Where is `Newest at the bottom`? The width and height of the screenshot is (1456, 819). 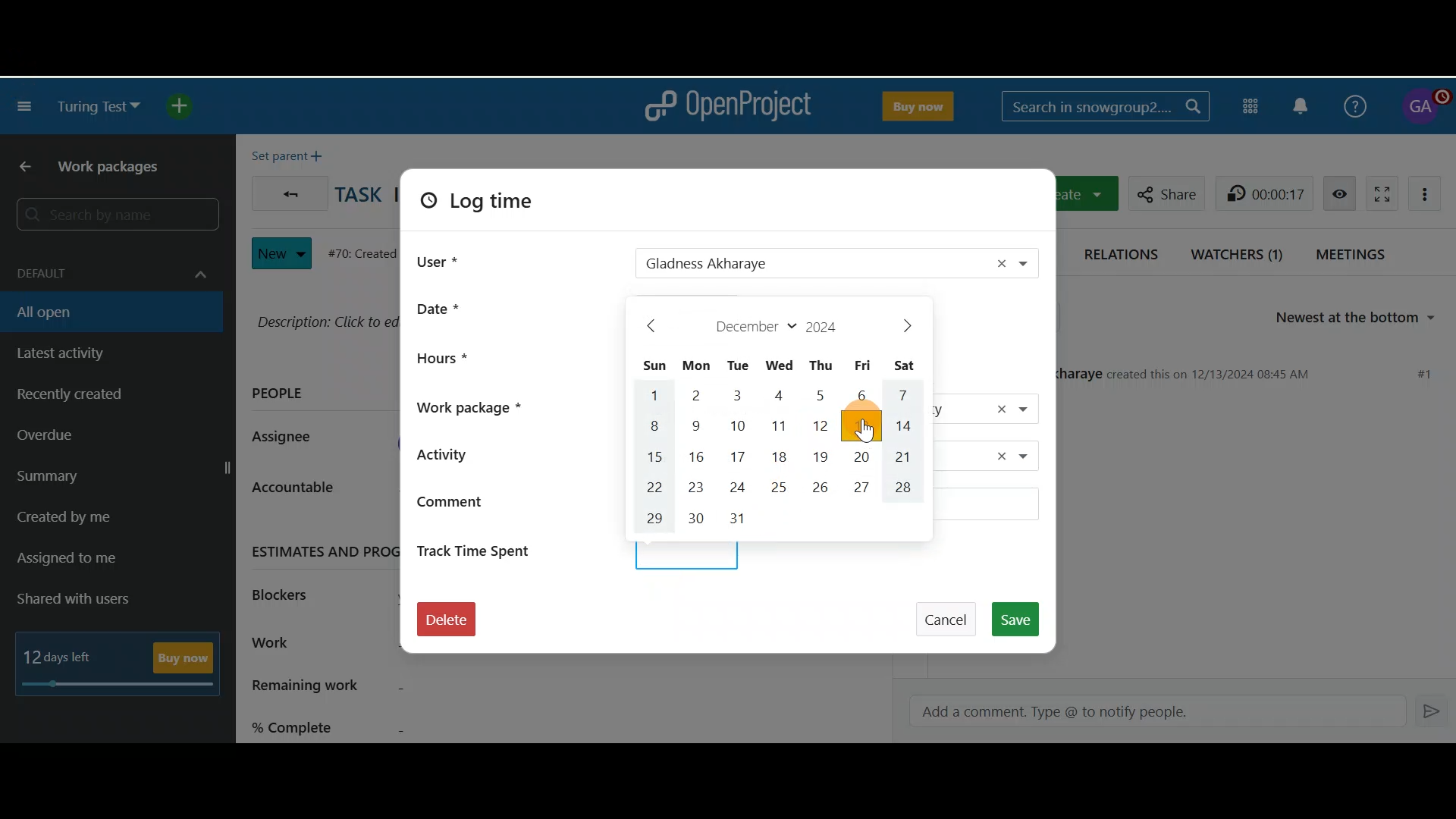 Newest at the bottom is located at coordinates (1363, 318).